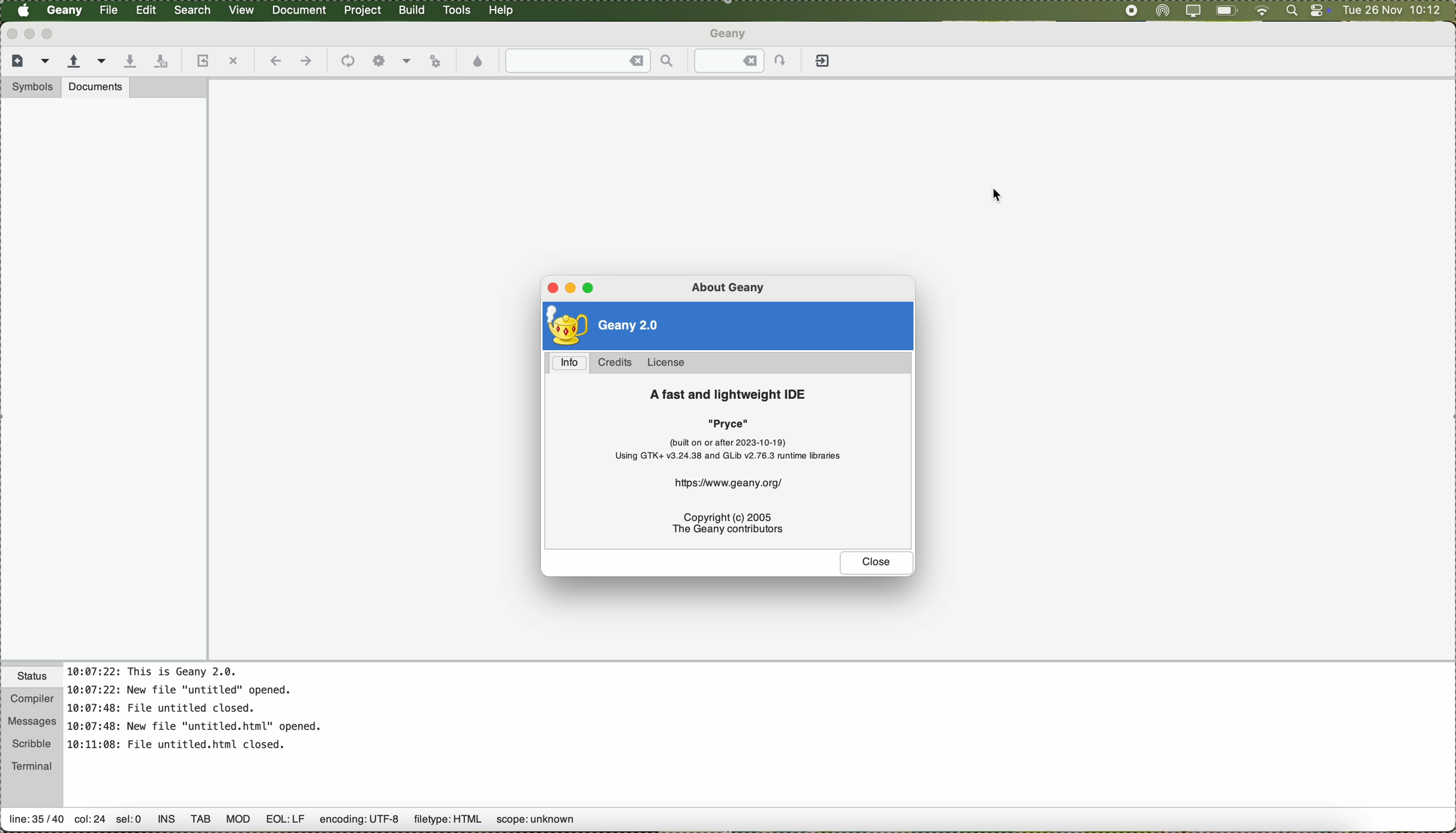 The width and height of the screenshot is (1456, 833). I want to click on spotlight search, so click(1288, 13).